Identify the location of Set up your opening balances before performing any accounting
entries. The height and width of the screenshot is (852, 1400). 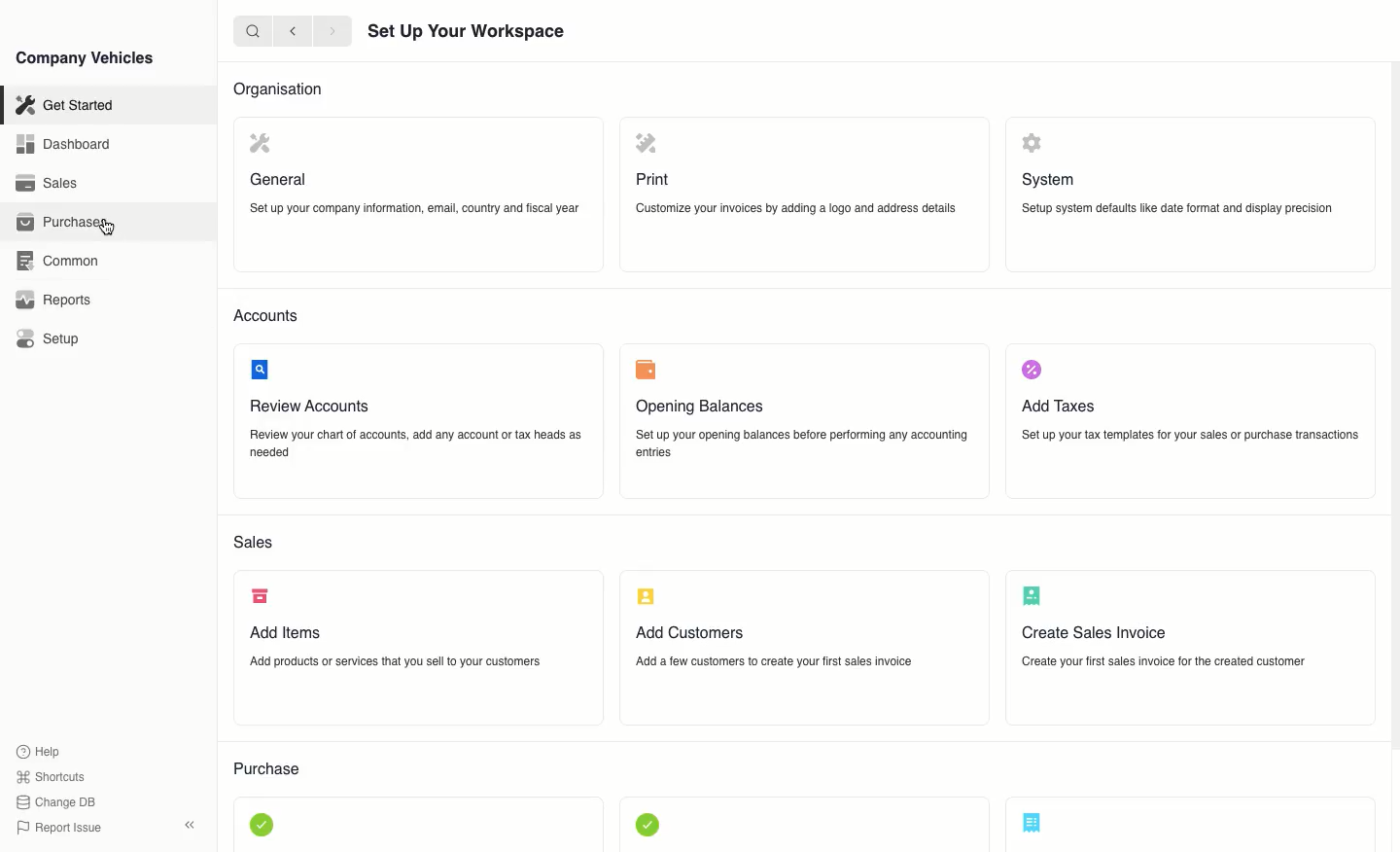
(802, 444).